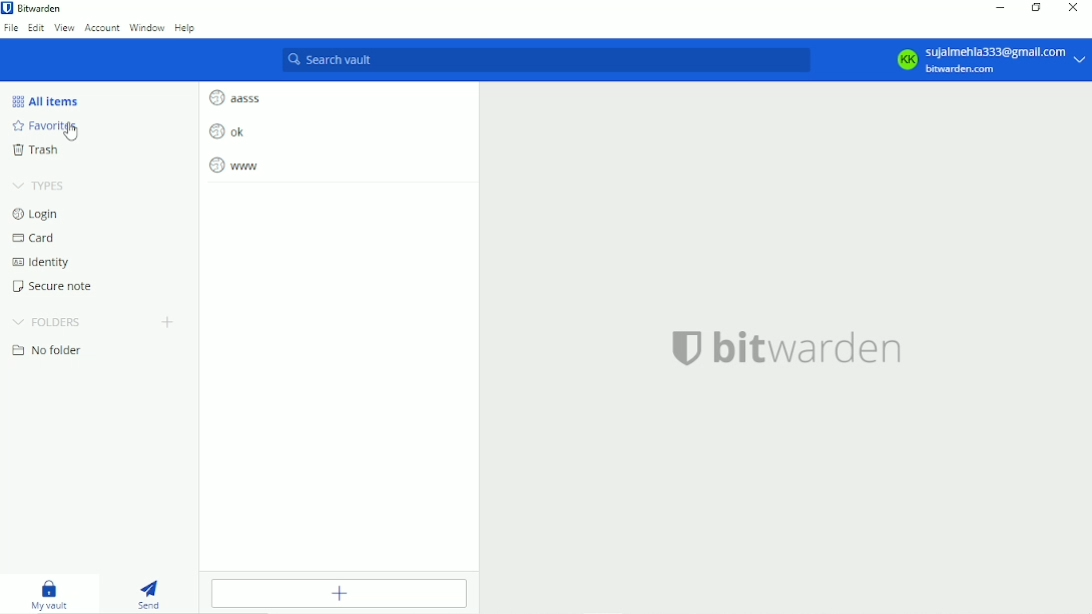 This screenshot has height=614, width=1092. I want to click on Login, so click(35, 213).